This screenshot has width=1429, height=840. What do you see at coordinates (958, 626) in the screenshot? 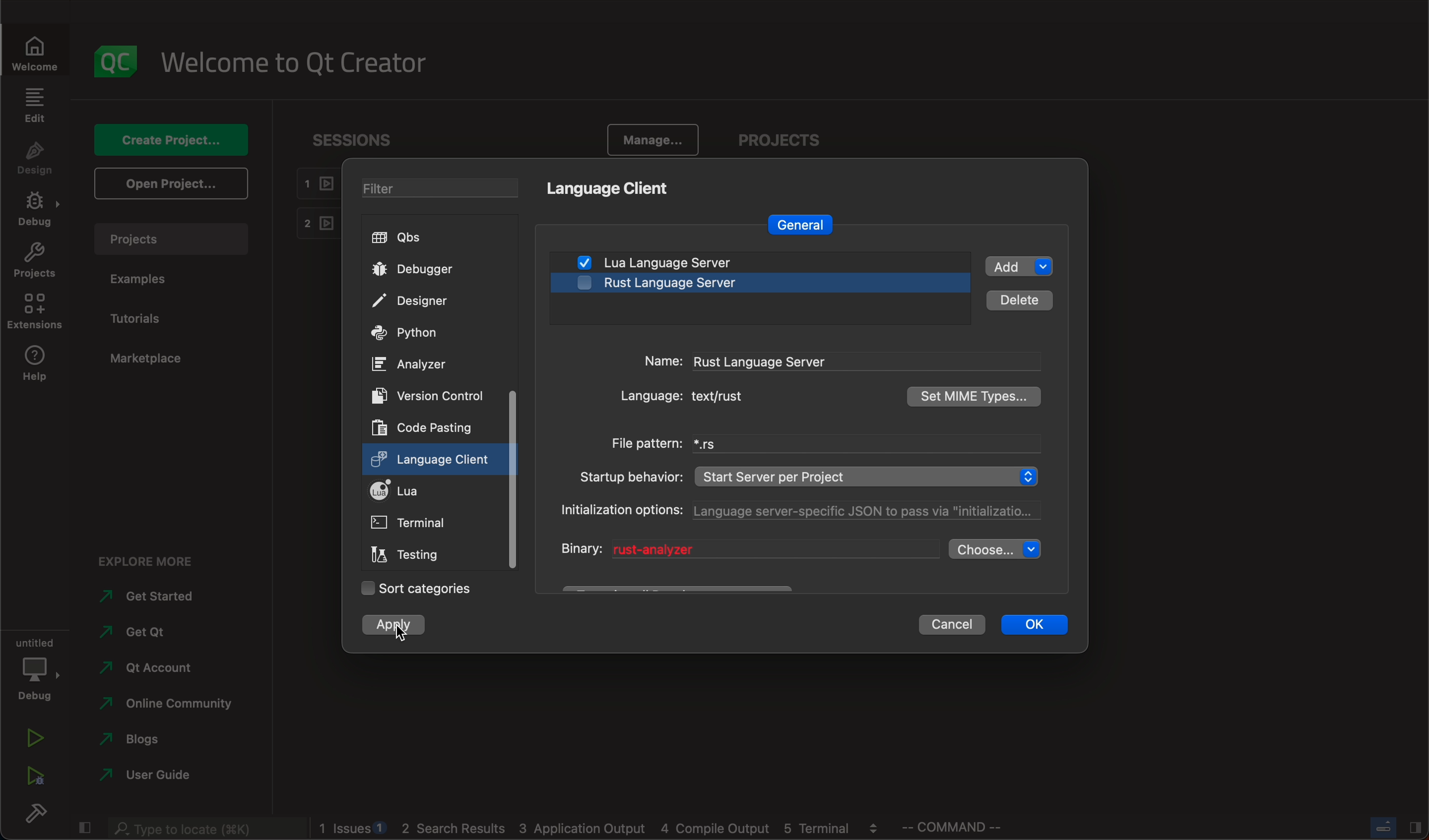
I see `cancel` at bounding box center [958, 626].